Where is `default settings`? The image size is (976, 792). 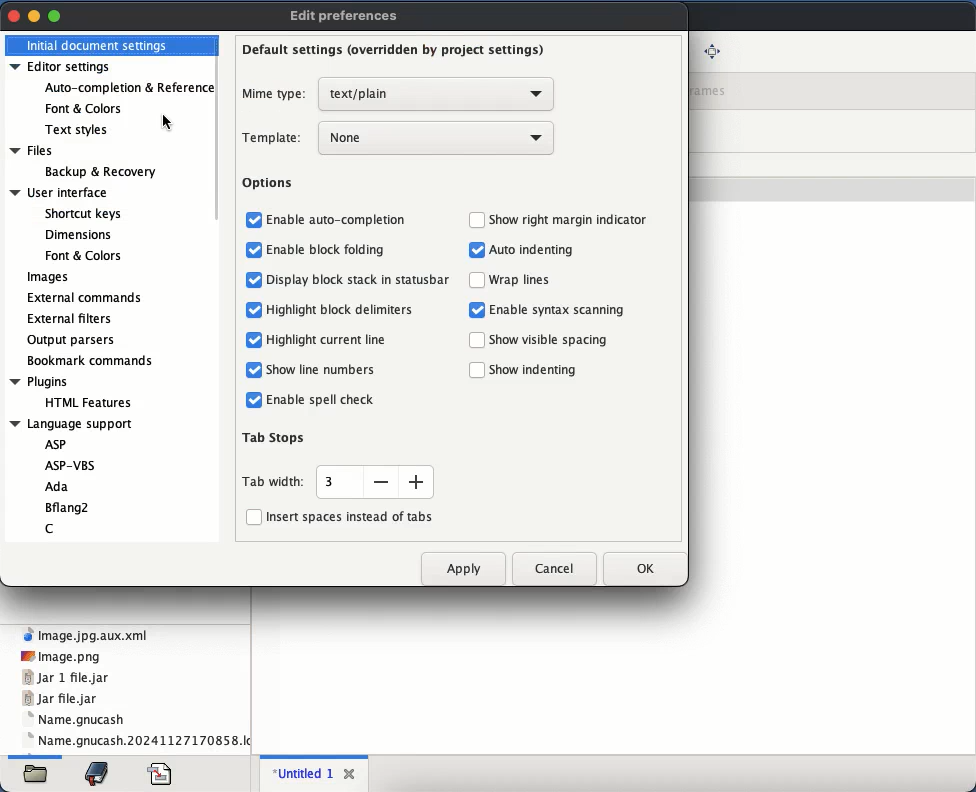
default settings is located at coordinates (395, 49).